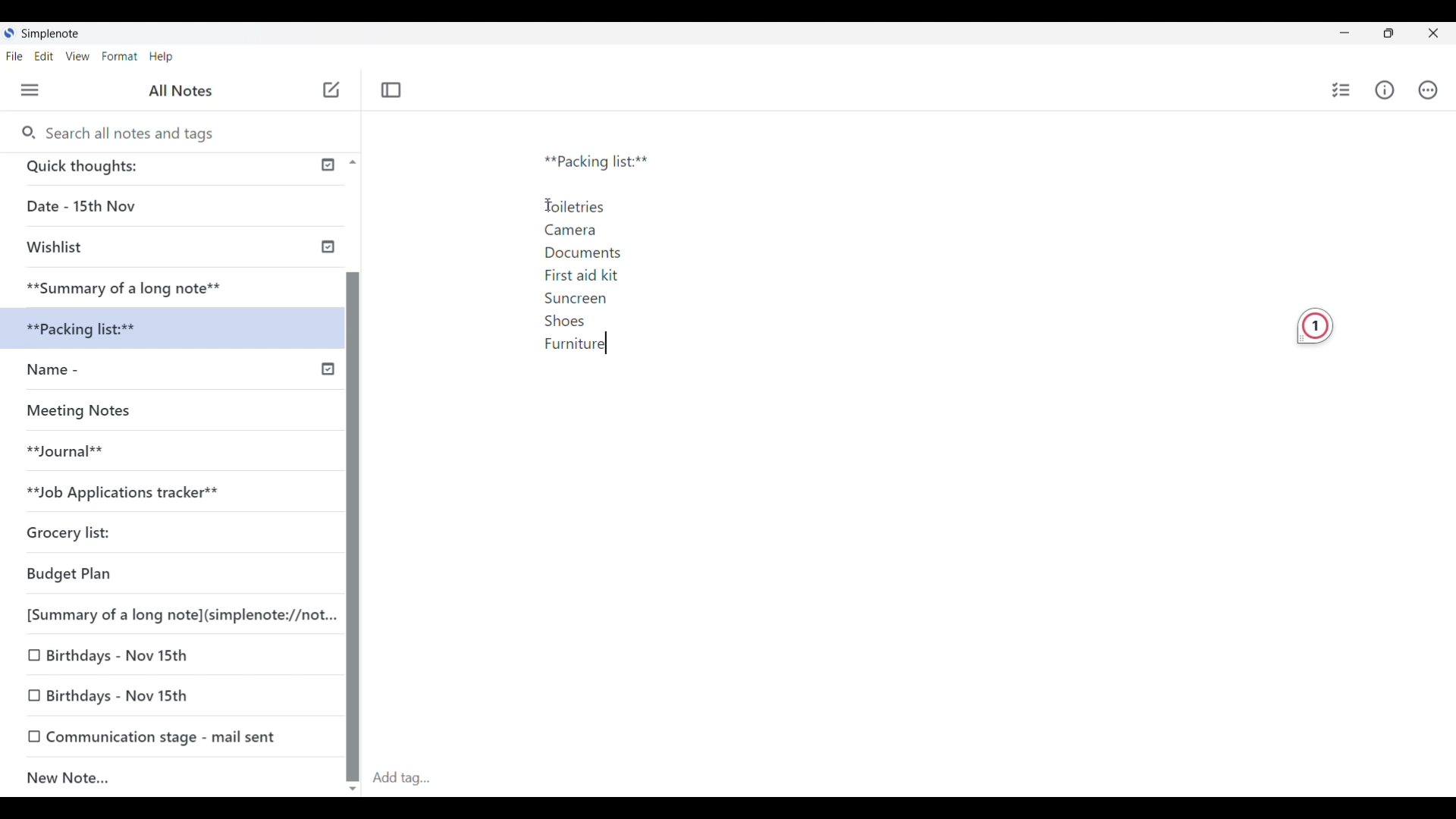  I want to click on 0 Communication stage - mail sent, so click(153, 736).